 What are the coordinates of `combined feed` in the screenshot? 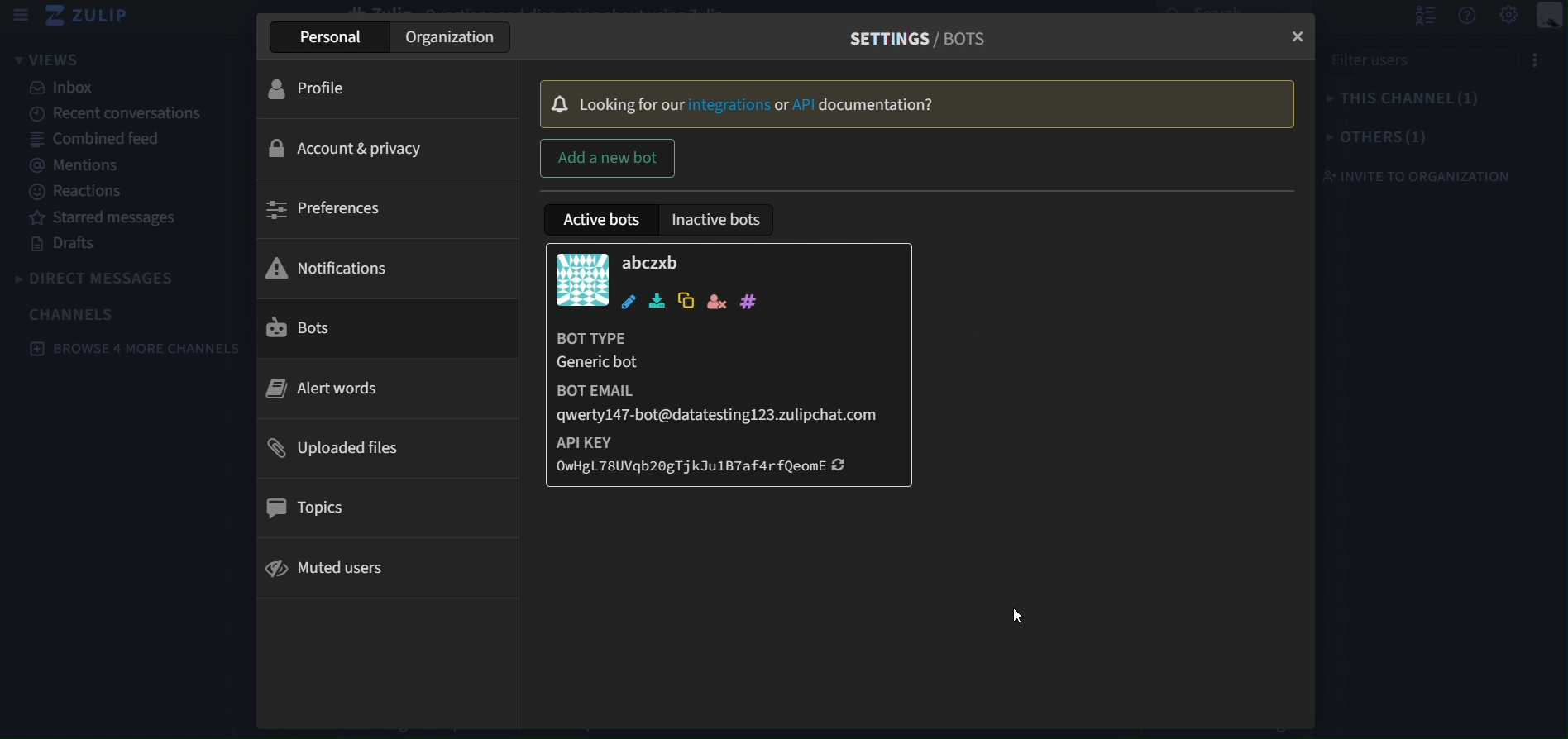 It's located at (104, 141).